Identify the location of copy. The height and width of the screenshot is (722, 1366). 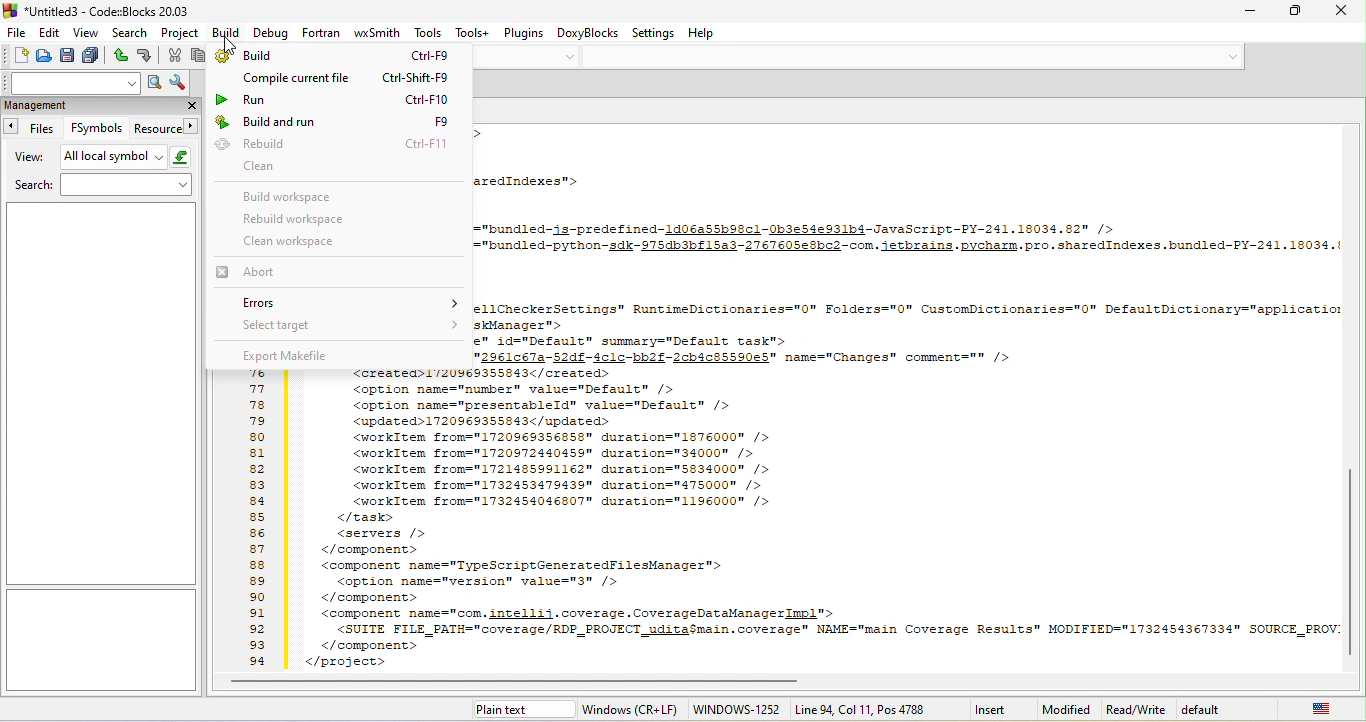
(200, 55).